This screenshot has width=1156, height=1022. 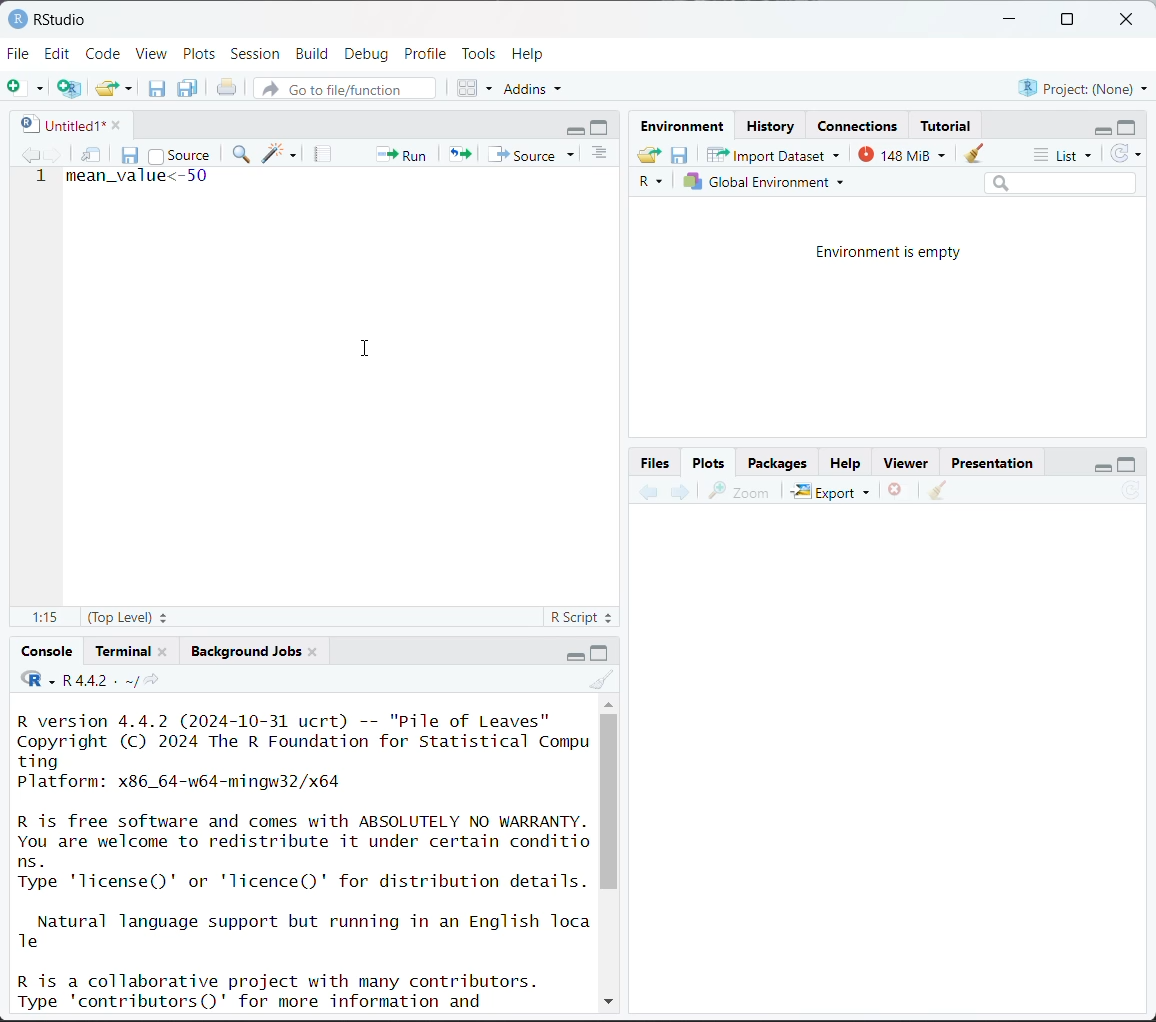 I want to click on clear all plots, so click(x=938, y=491).